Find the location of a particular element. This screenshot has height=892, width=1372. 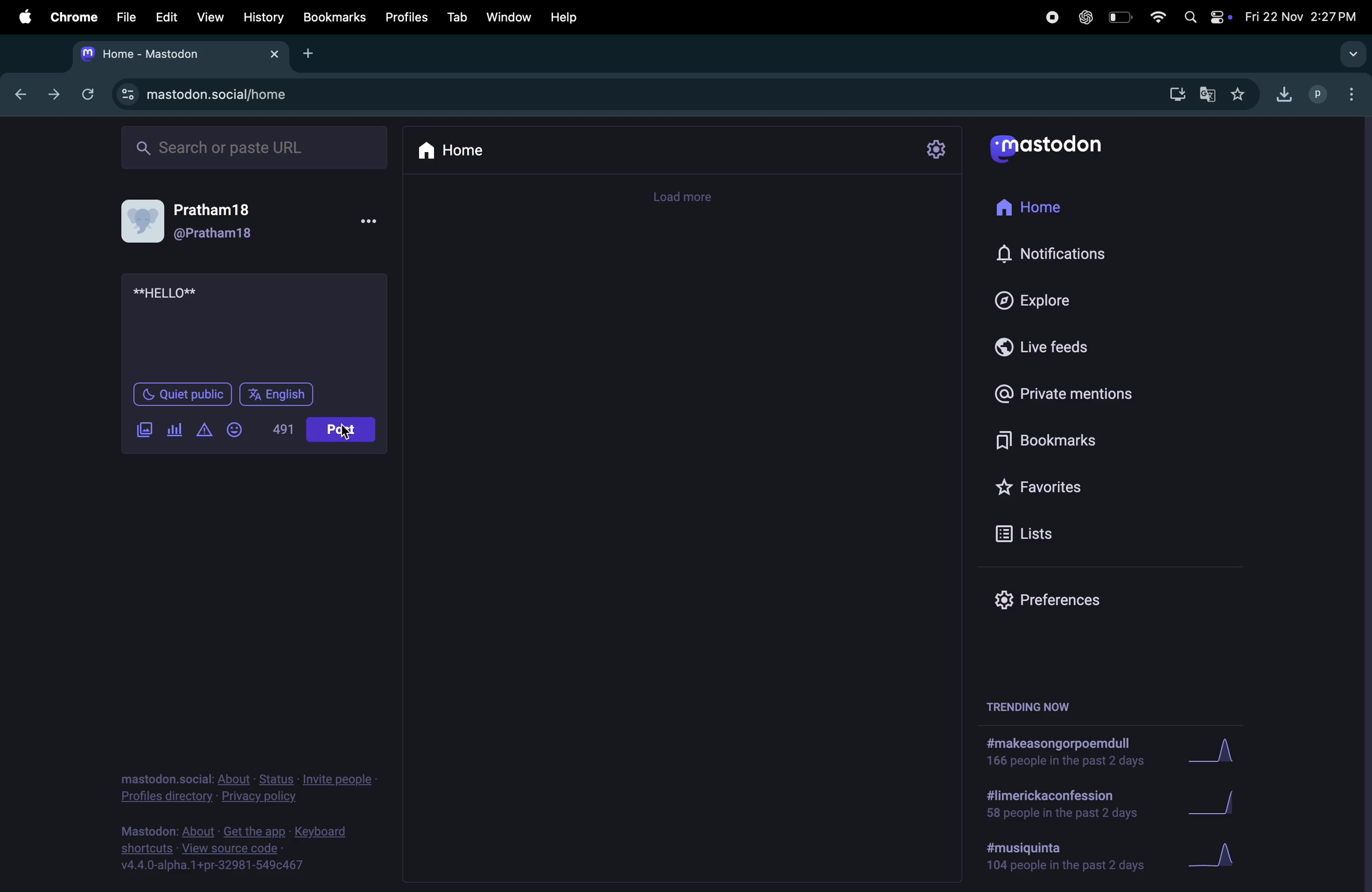

record is located at coordinates (1056, 17).